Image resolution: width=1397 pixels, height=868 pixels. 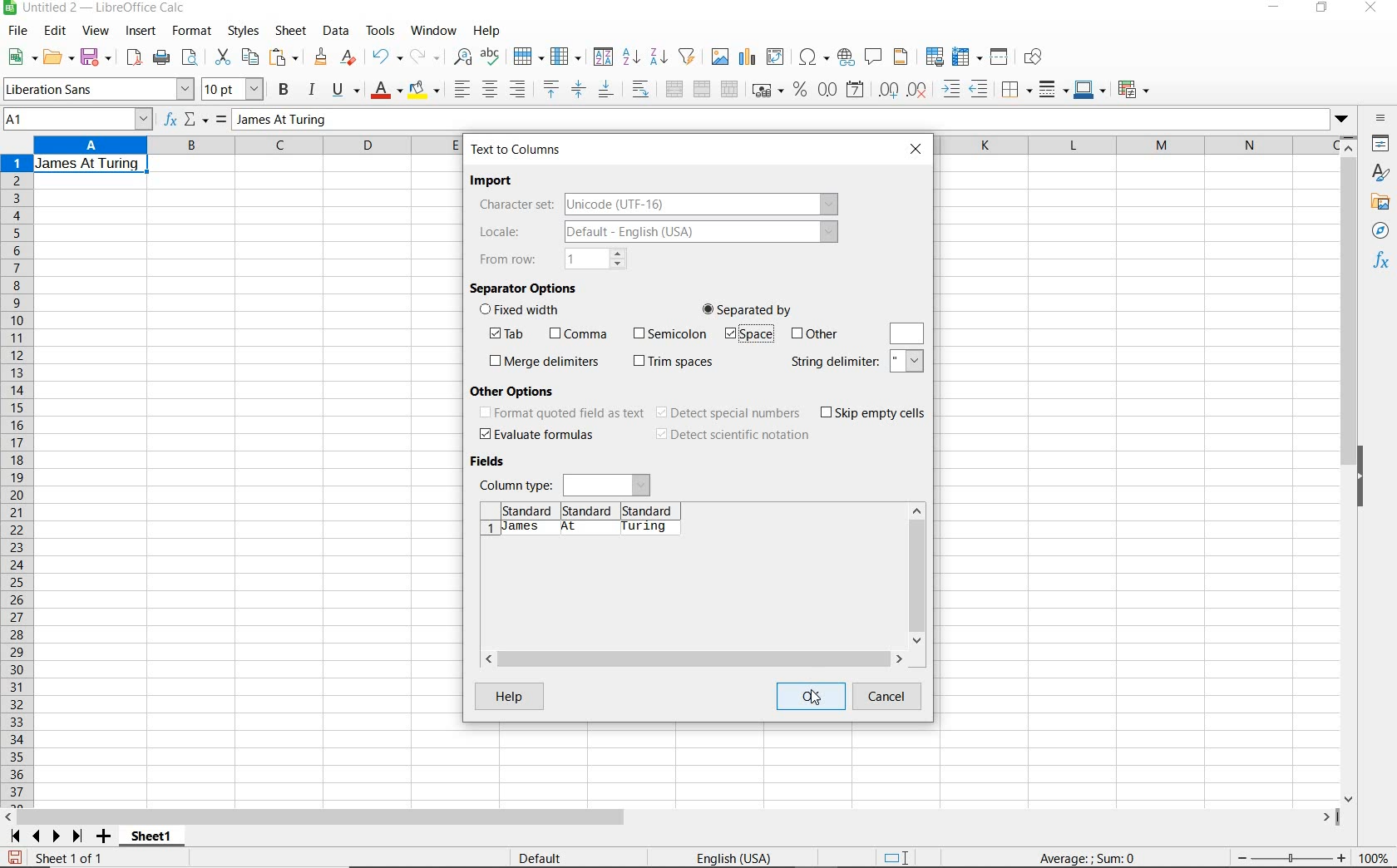 What do you see at coordinates (1380, 120) in the screenshot?
I see `sidebar settings` at bounding box center [1380, 120].